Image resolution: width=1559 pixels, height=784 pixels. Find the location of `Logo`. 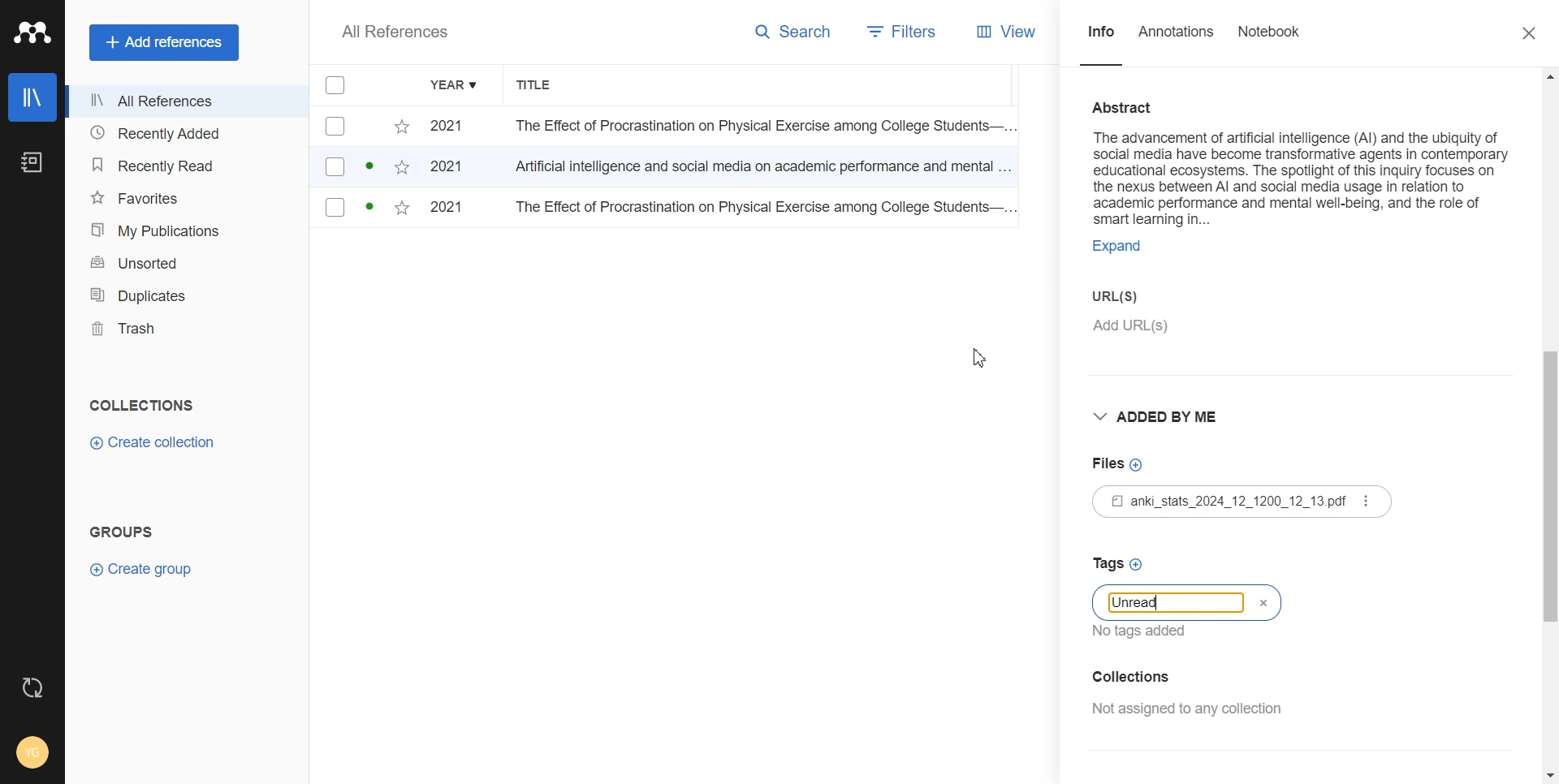

Logo is located at coordinates (32, 33).